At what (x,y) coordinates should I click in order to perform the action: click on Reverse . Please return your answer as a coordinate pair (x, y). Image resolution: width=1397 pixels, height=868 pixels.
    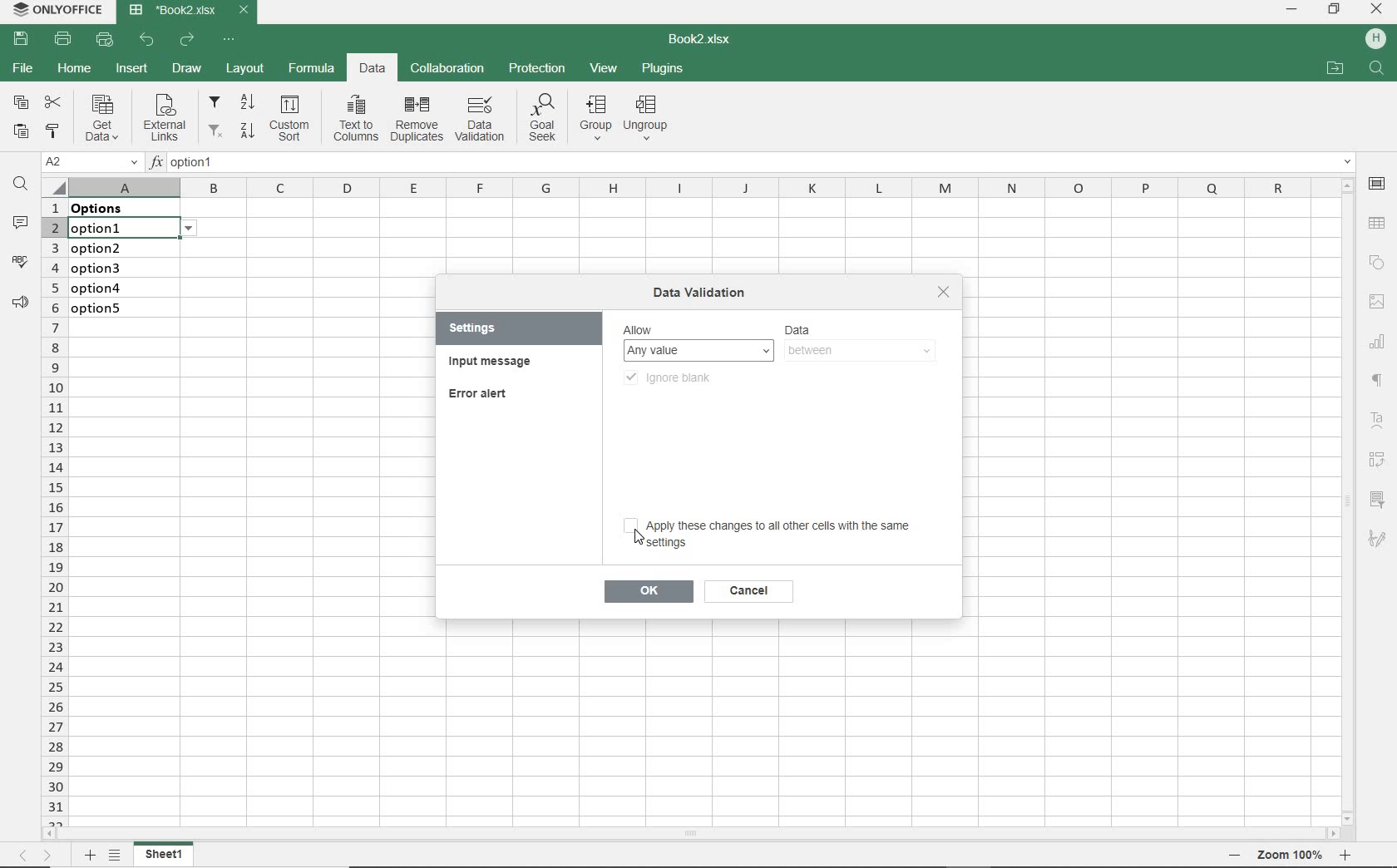
    Looking at the image, I should click on (1381, 460).